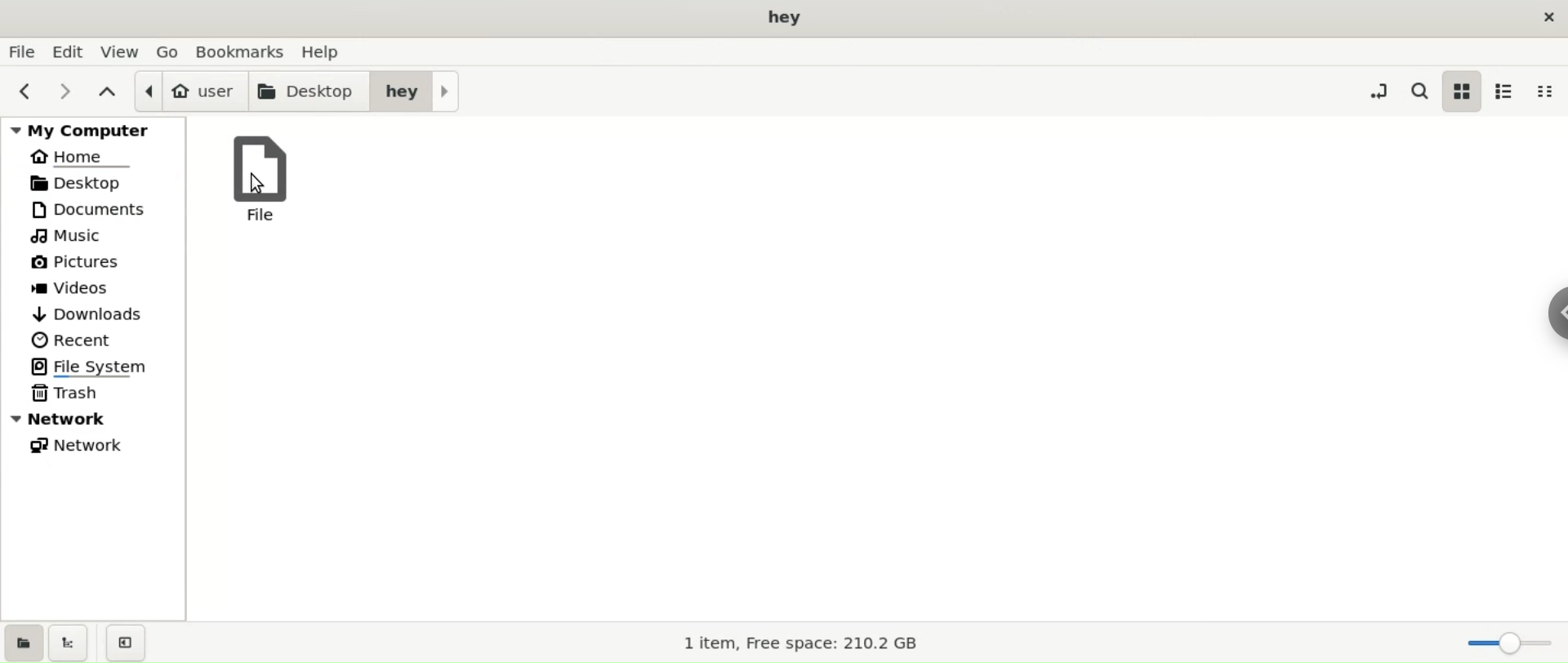  Describe the element at coordinates (265, 178) in the screenshot. I see `file` at that location.